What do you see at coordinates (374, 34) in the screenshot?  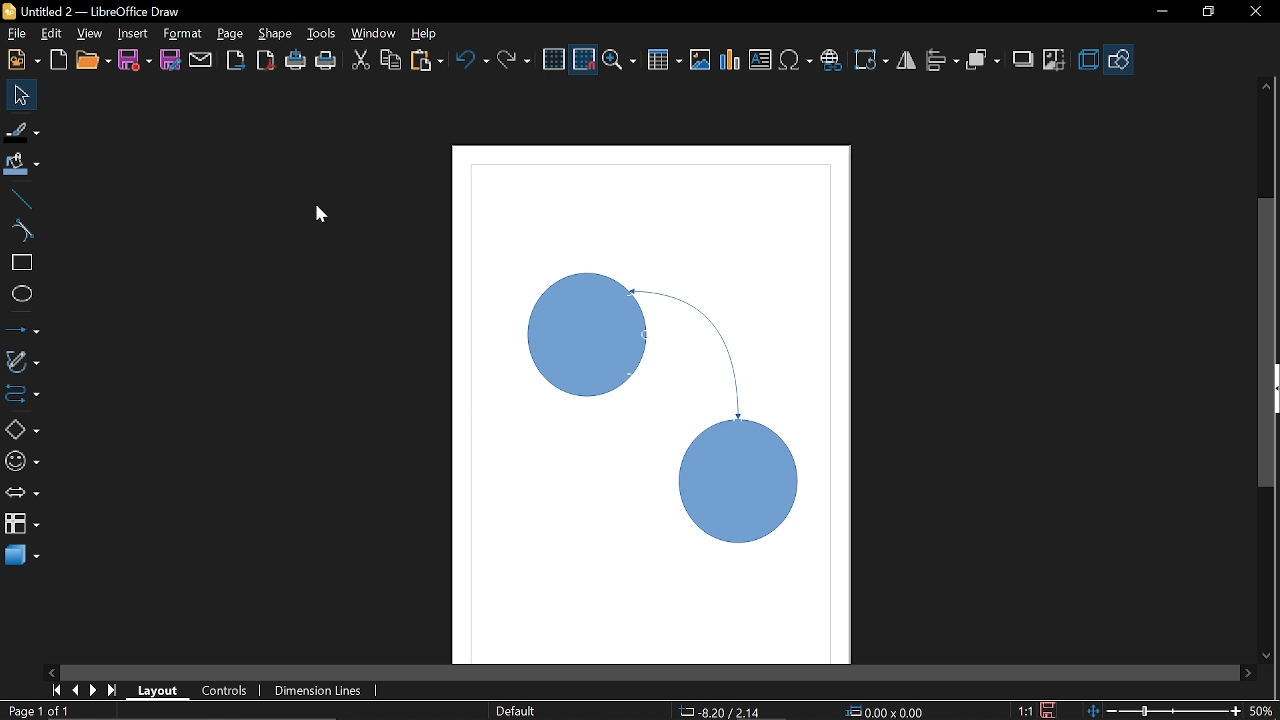 I see `Window` at bounding box center [374, 34].